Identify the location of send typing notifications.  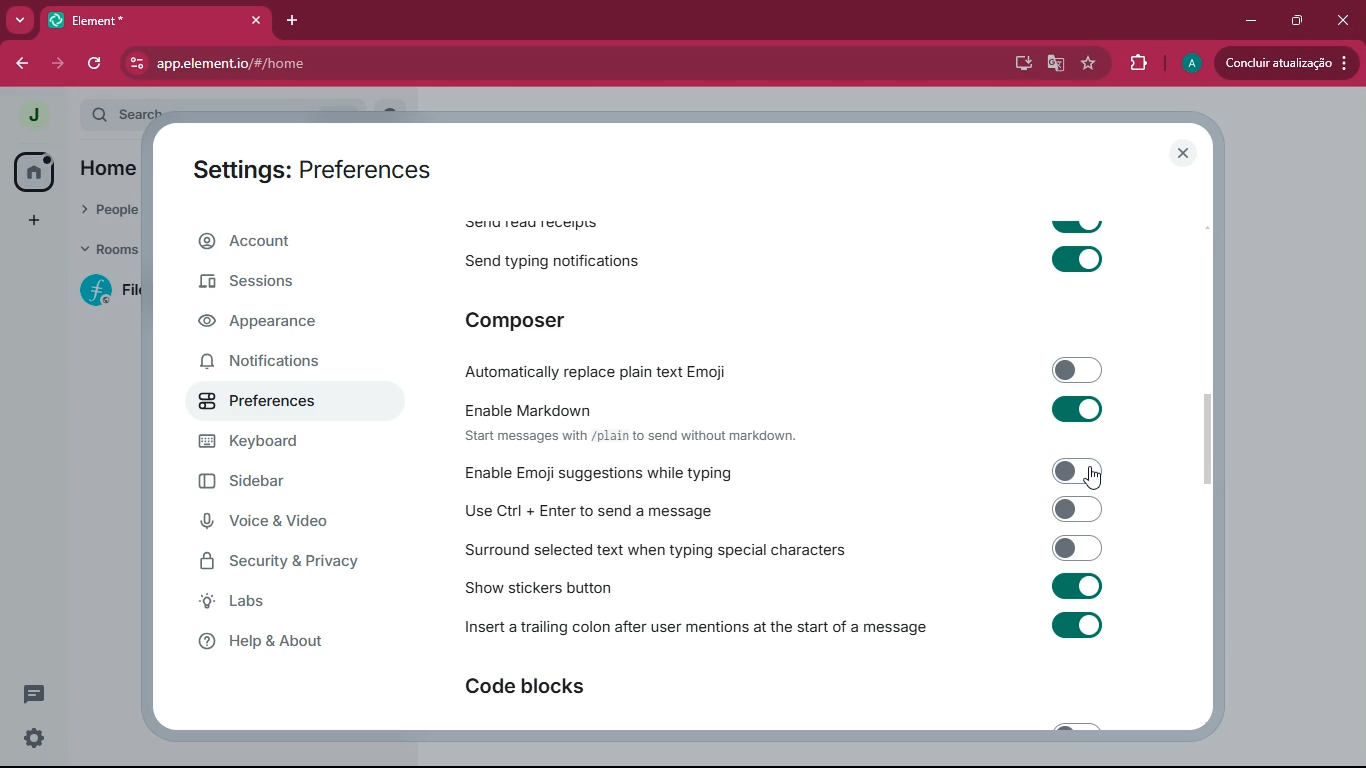
(791, 257).